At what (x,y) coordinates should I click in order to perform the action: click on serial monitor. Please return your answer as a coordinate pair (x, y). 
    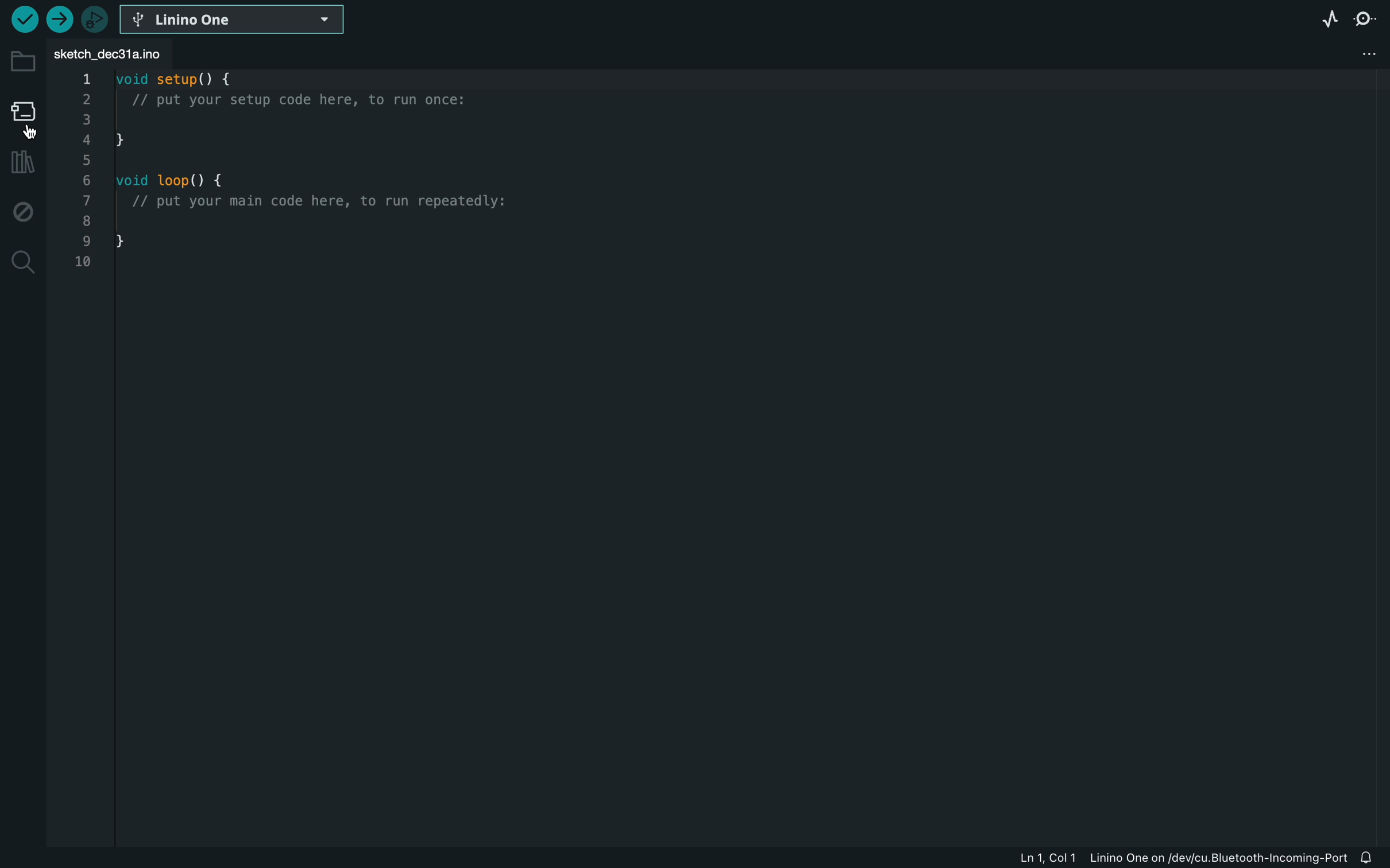
    Looking at the image, I should click on (1369, 18).